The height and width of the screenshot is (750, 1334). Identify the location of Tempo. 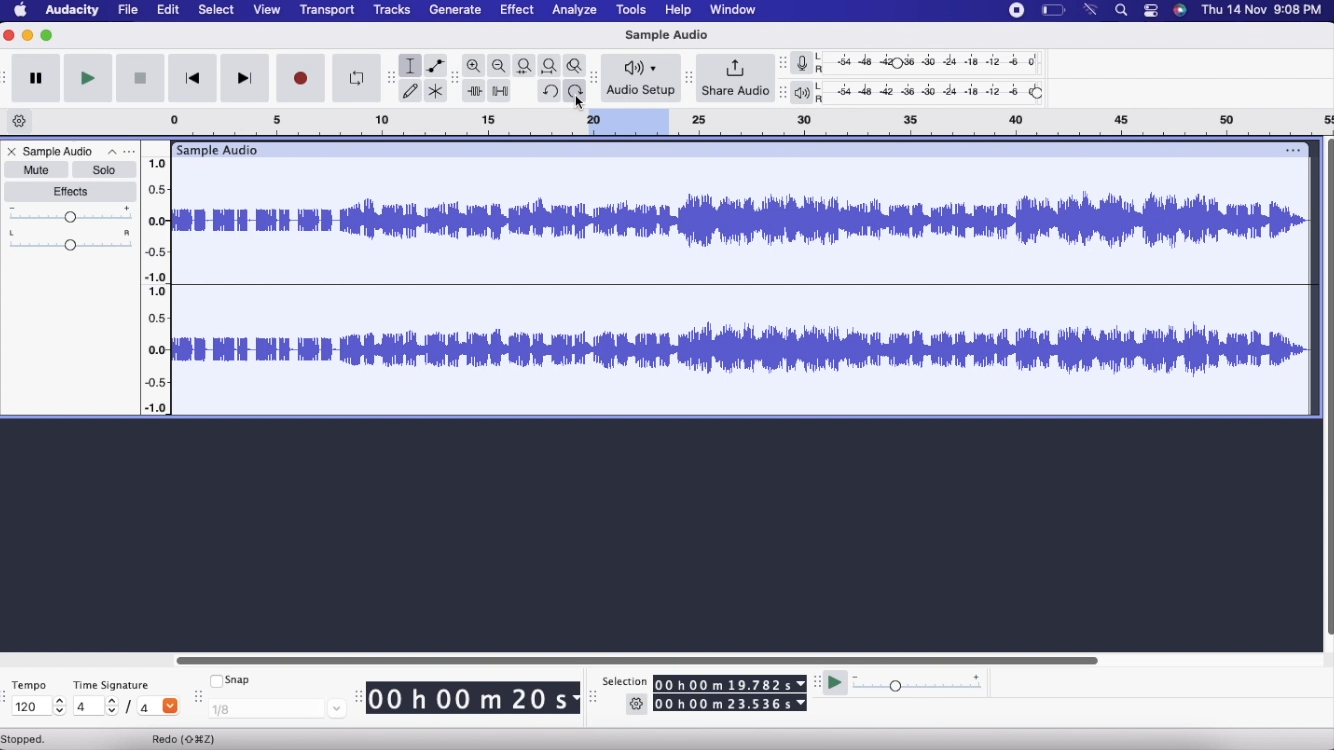
(30, 684).